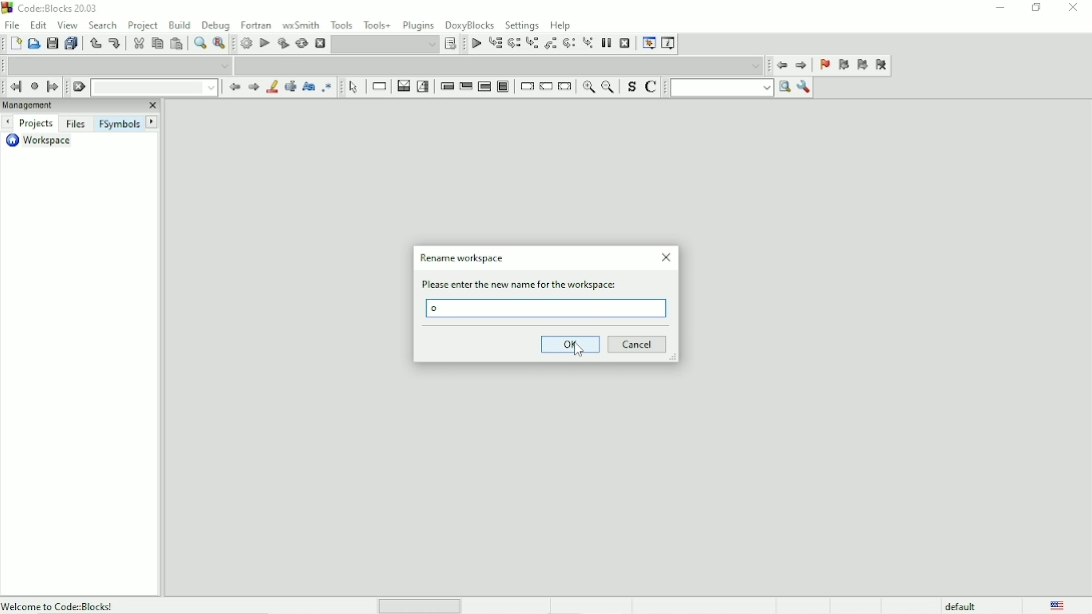  I want to click on Cursor, so click(579, 350).